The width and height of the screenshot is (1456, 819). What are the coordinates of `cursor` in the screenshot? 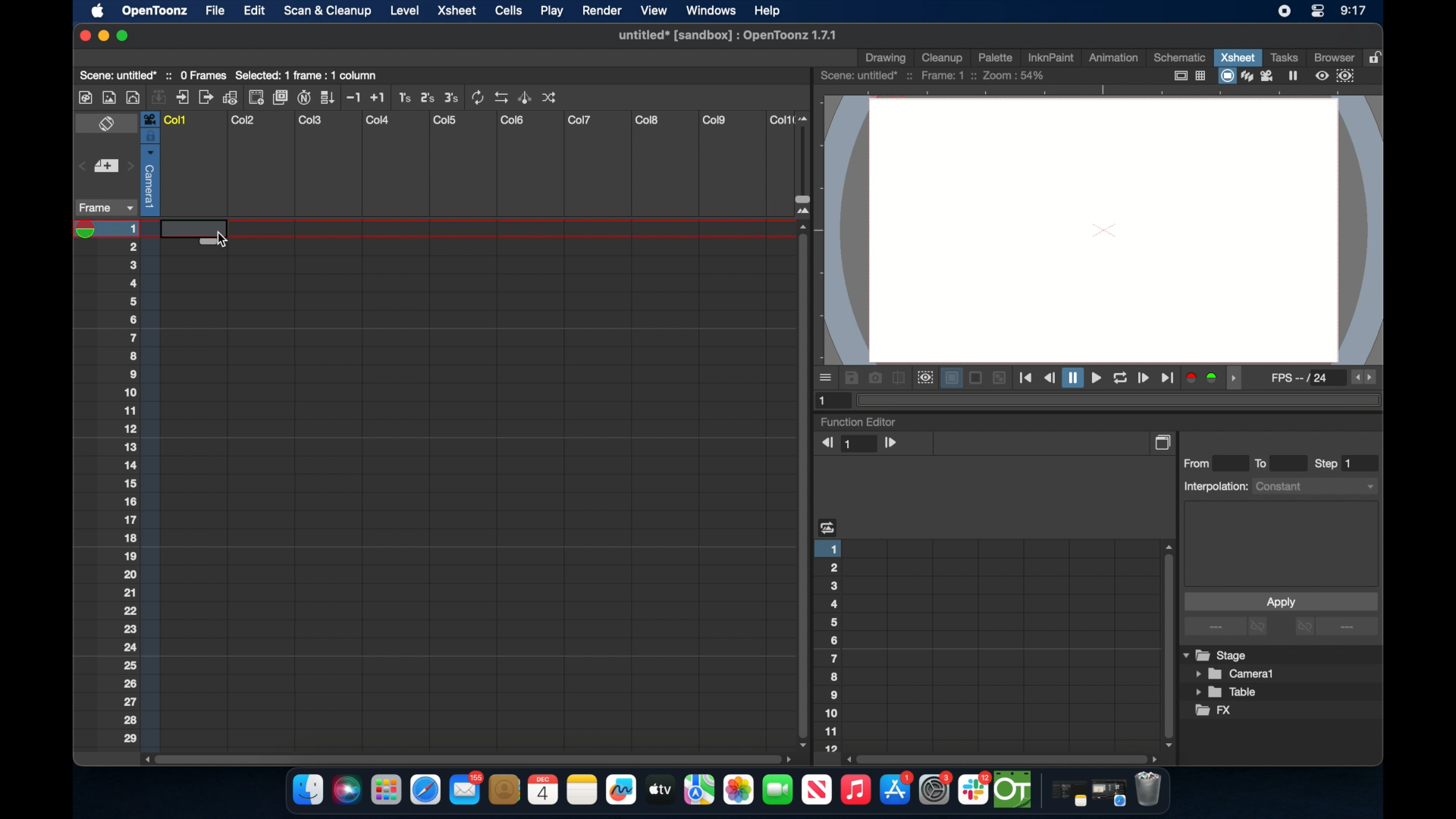 It's located at (223, 237).